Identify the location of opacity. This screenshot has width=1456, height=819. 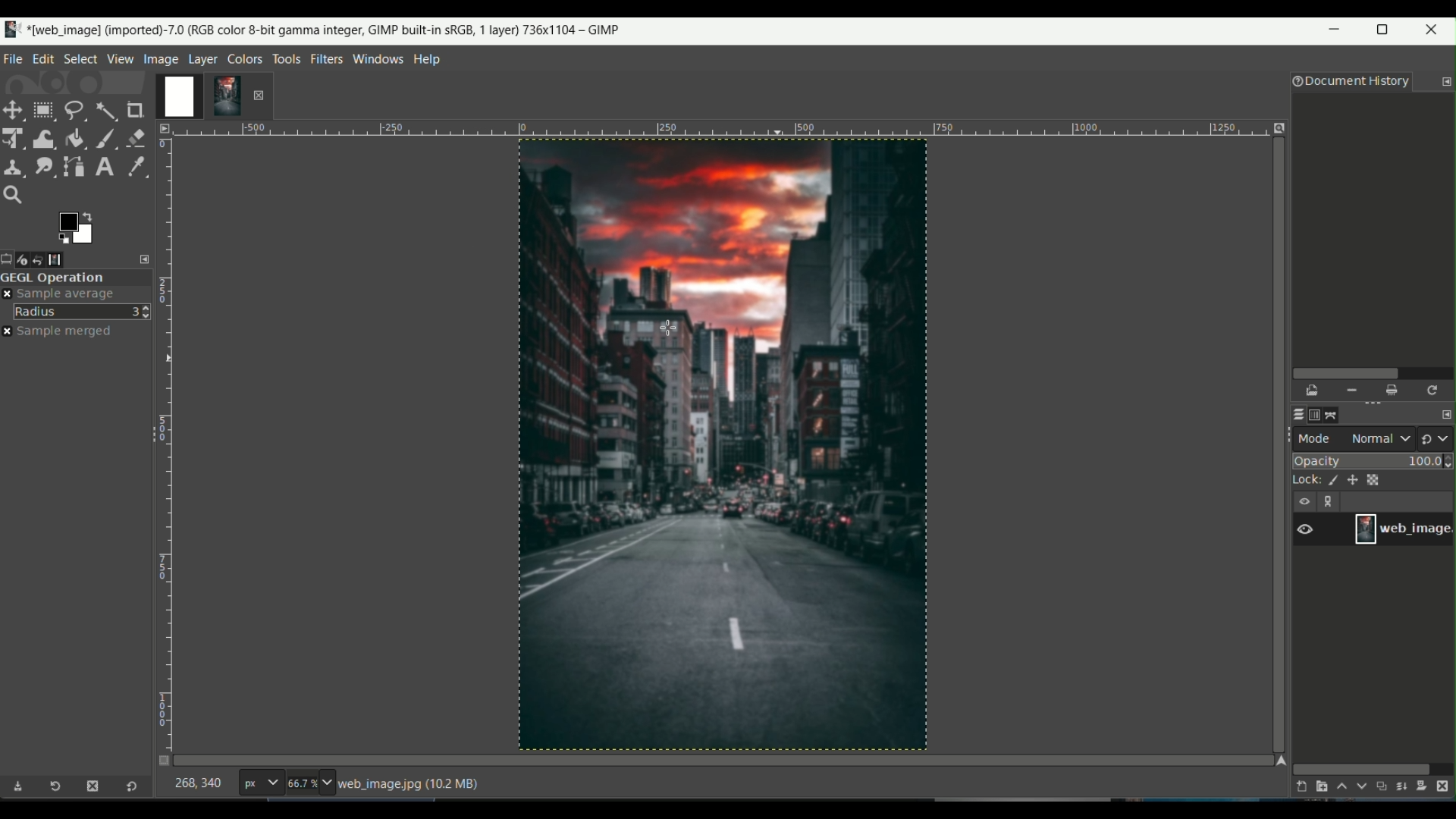
(1374, 460).